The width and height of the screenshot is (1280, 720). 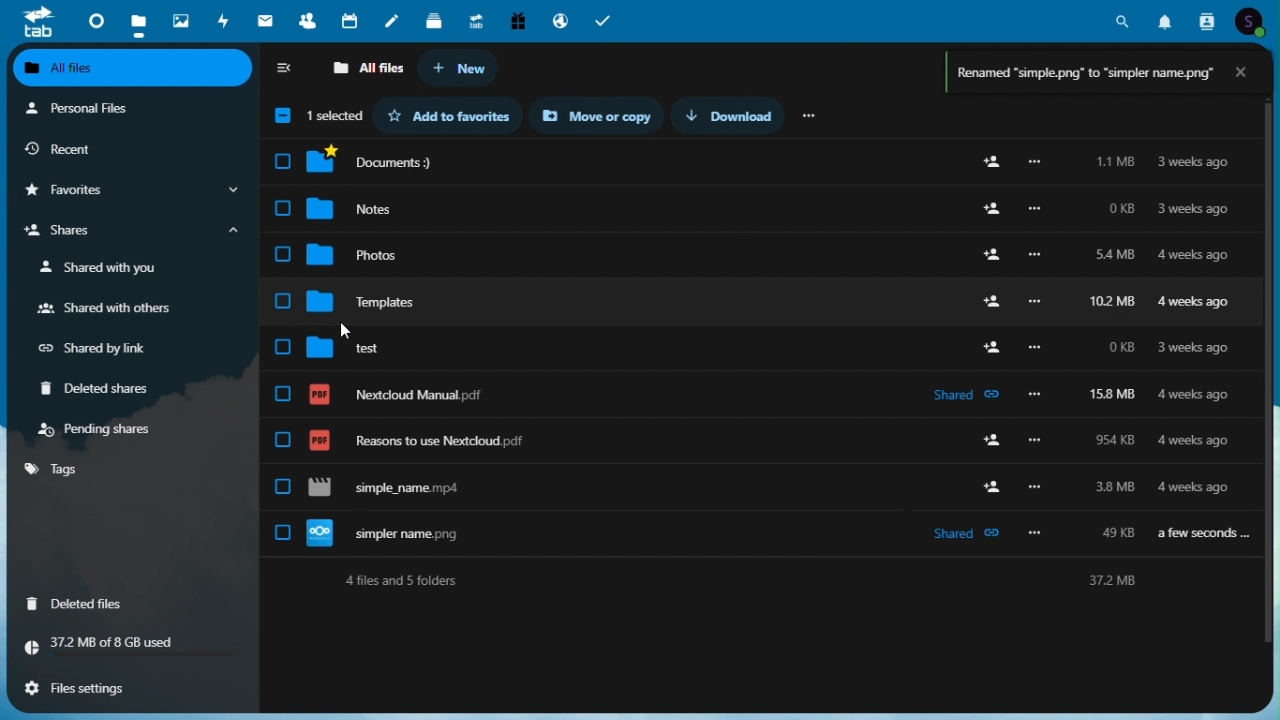 What do you see at coordinates (1247, 72) in the screenshot?
I see `close` at bounding box center [1247, 72].